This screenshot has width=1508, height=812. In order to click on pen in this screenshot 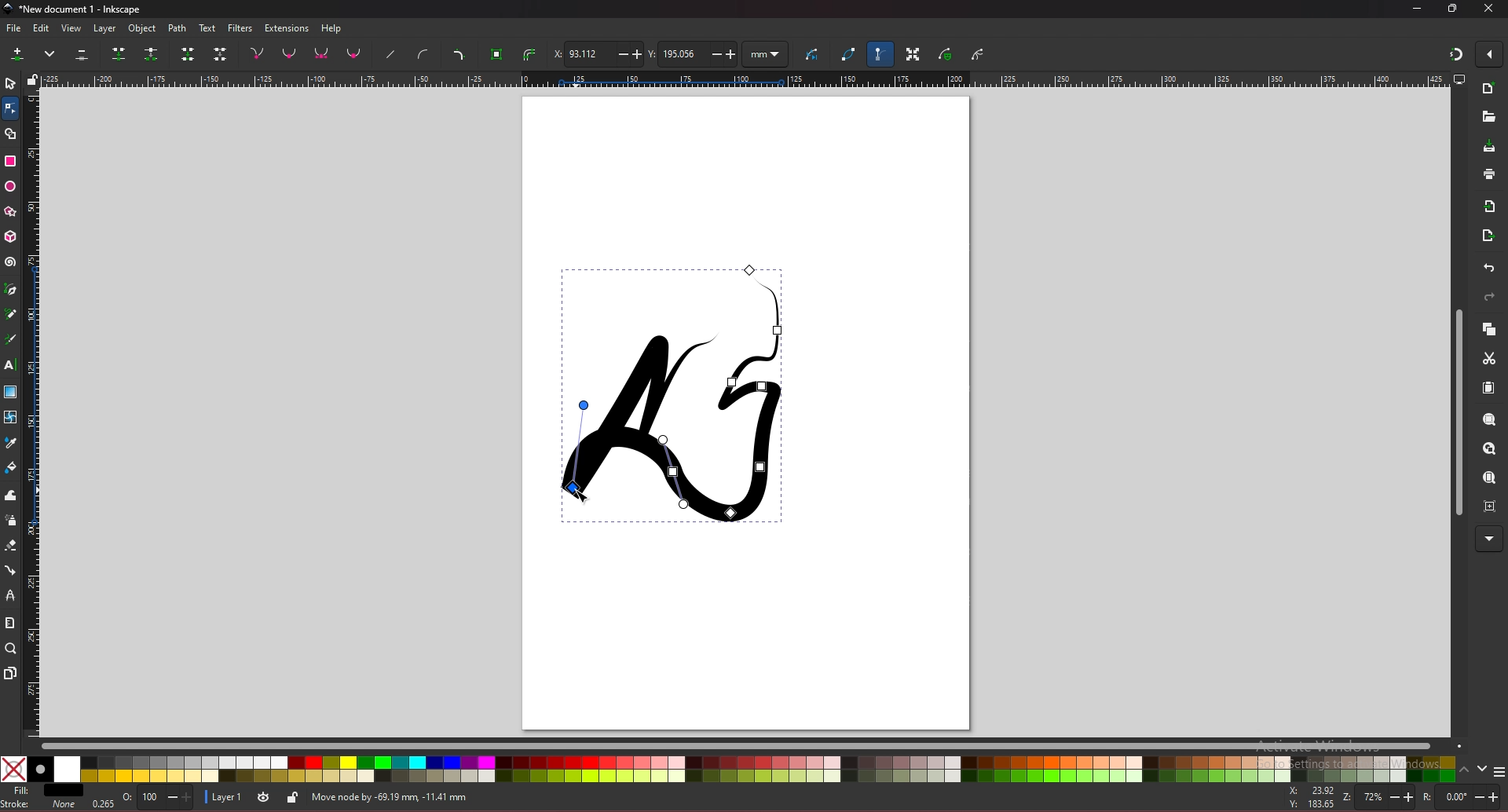, I will do `click(13, 288)`.